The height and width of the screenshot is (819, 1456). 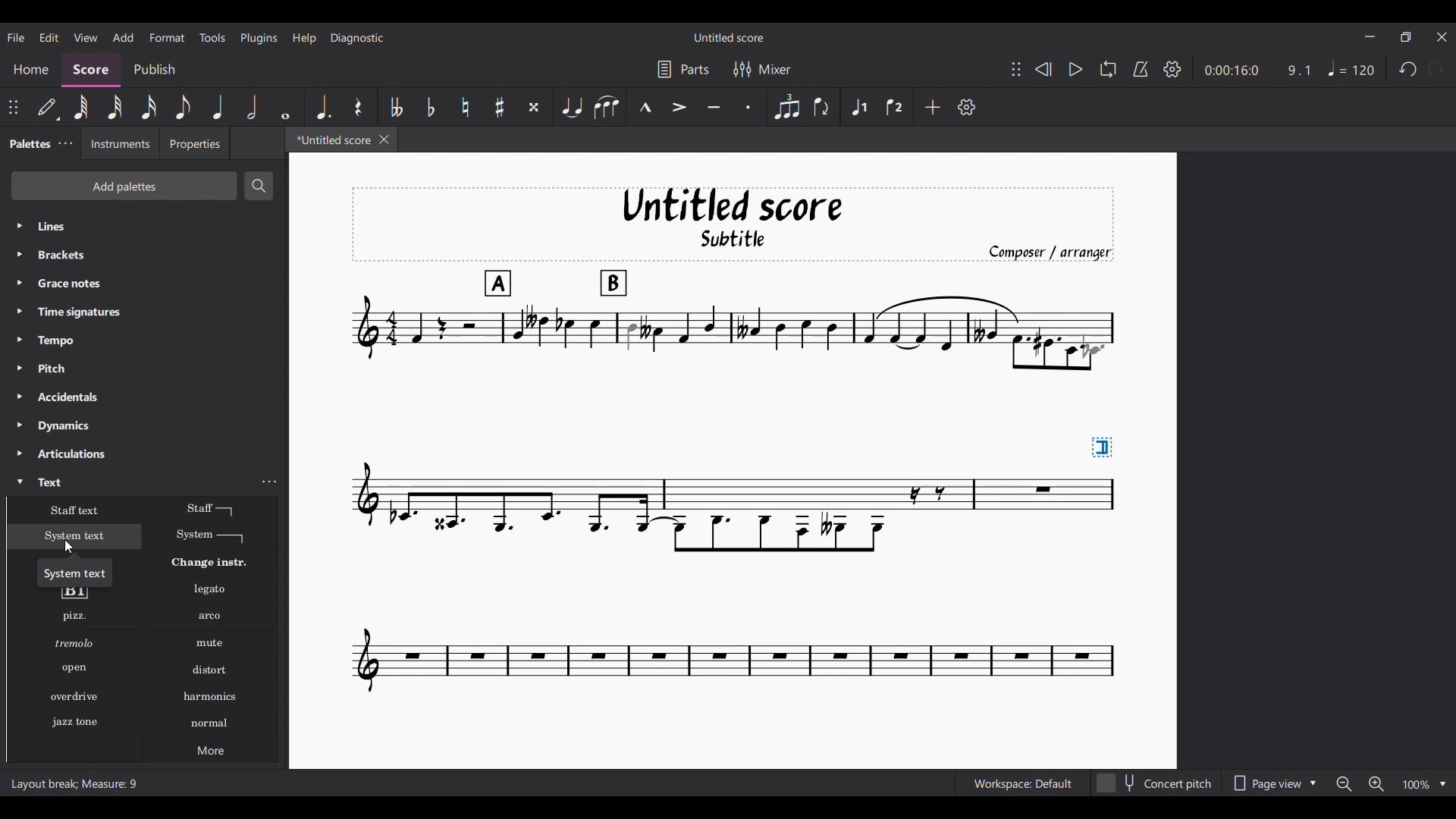 What do you see at coordinates (534, 107) in the screenshot?
I see `Toggle double sharp` at bounding box center [534, 107].